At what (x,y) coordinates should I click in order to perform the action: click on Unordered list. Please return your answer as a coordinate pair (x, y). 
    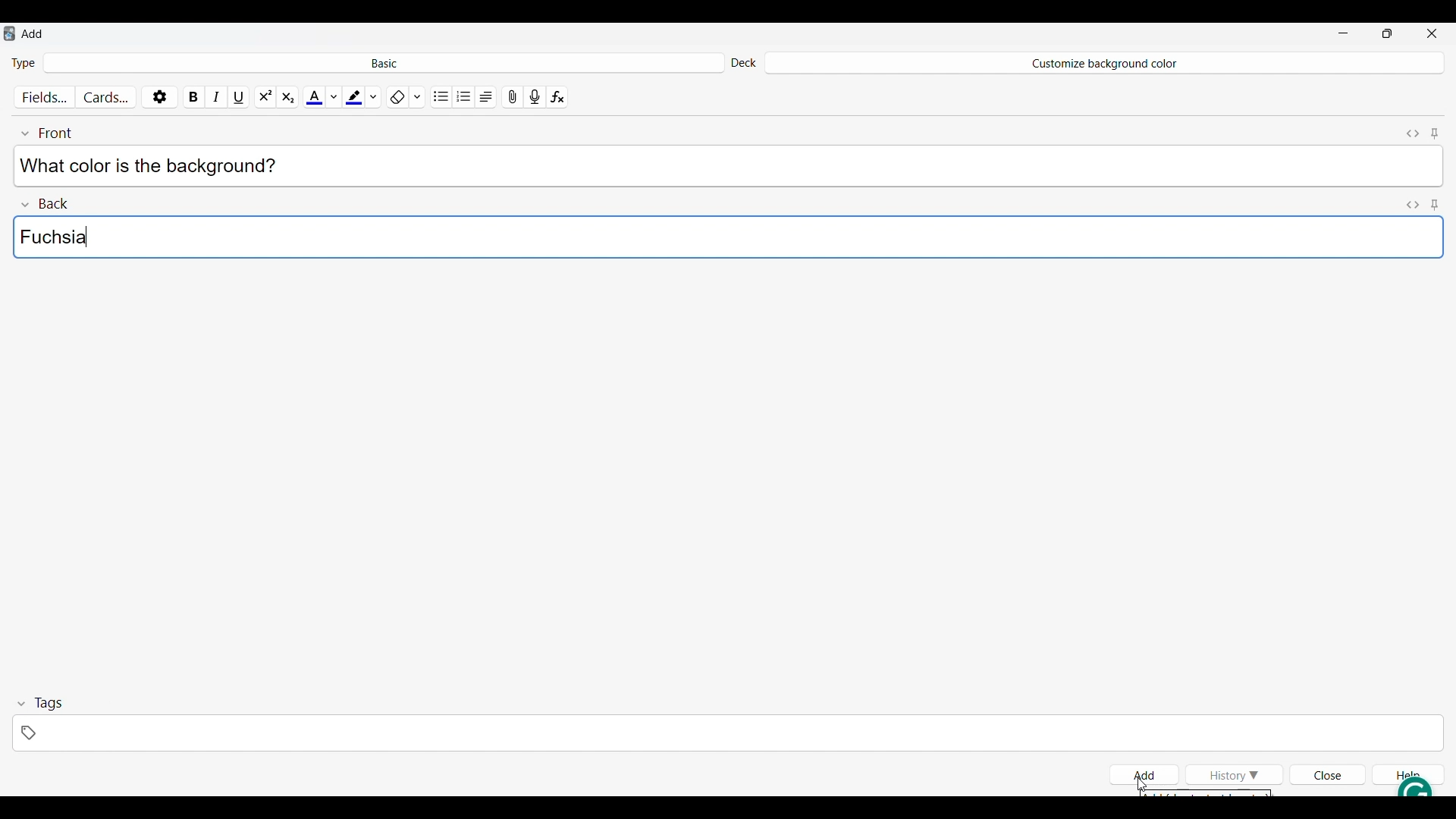
    Looking at the image, I should click on (442, 95).